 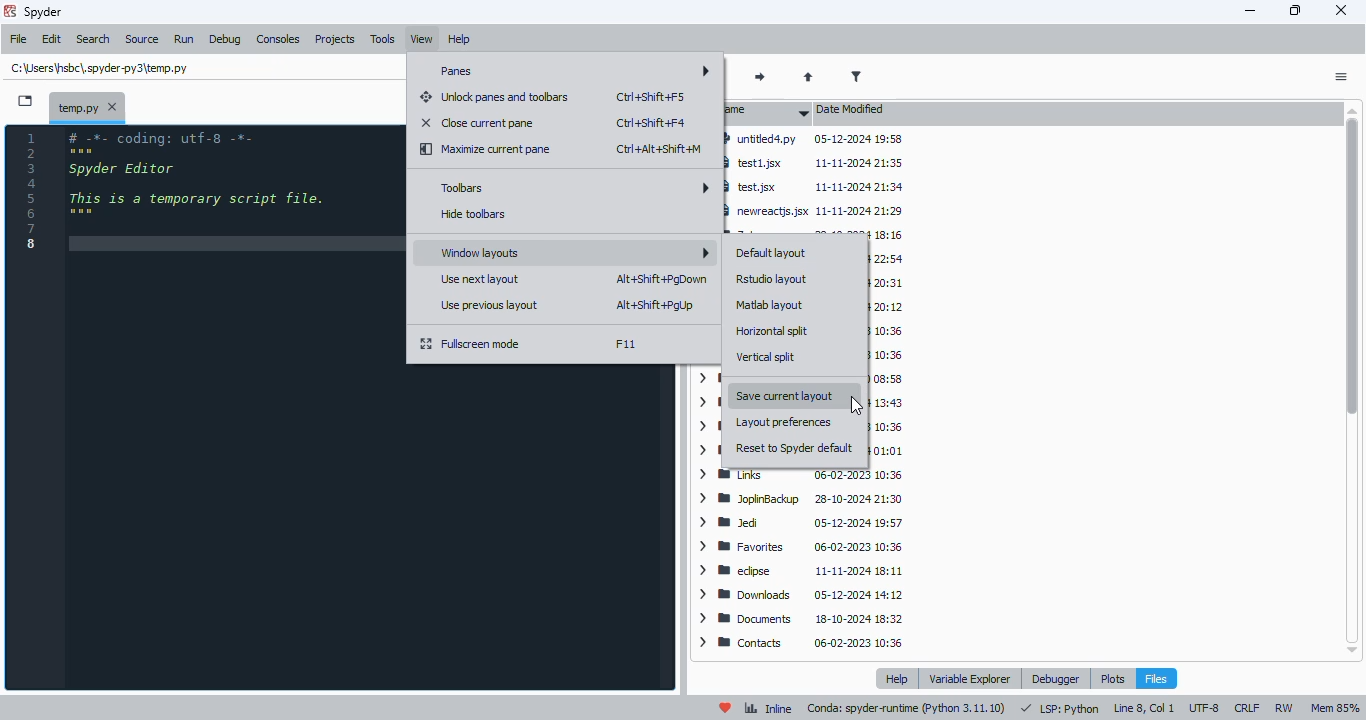 What do you see at coordinates (884, 426) in the screenshot?
I see `Music` at bounding box center [884, 426].